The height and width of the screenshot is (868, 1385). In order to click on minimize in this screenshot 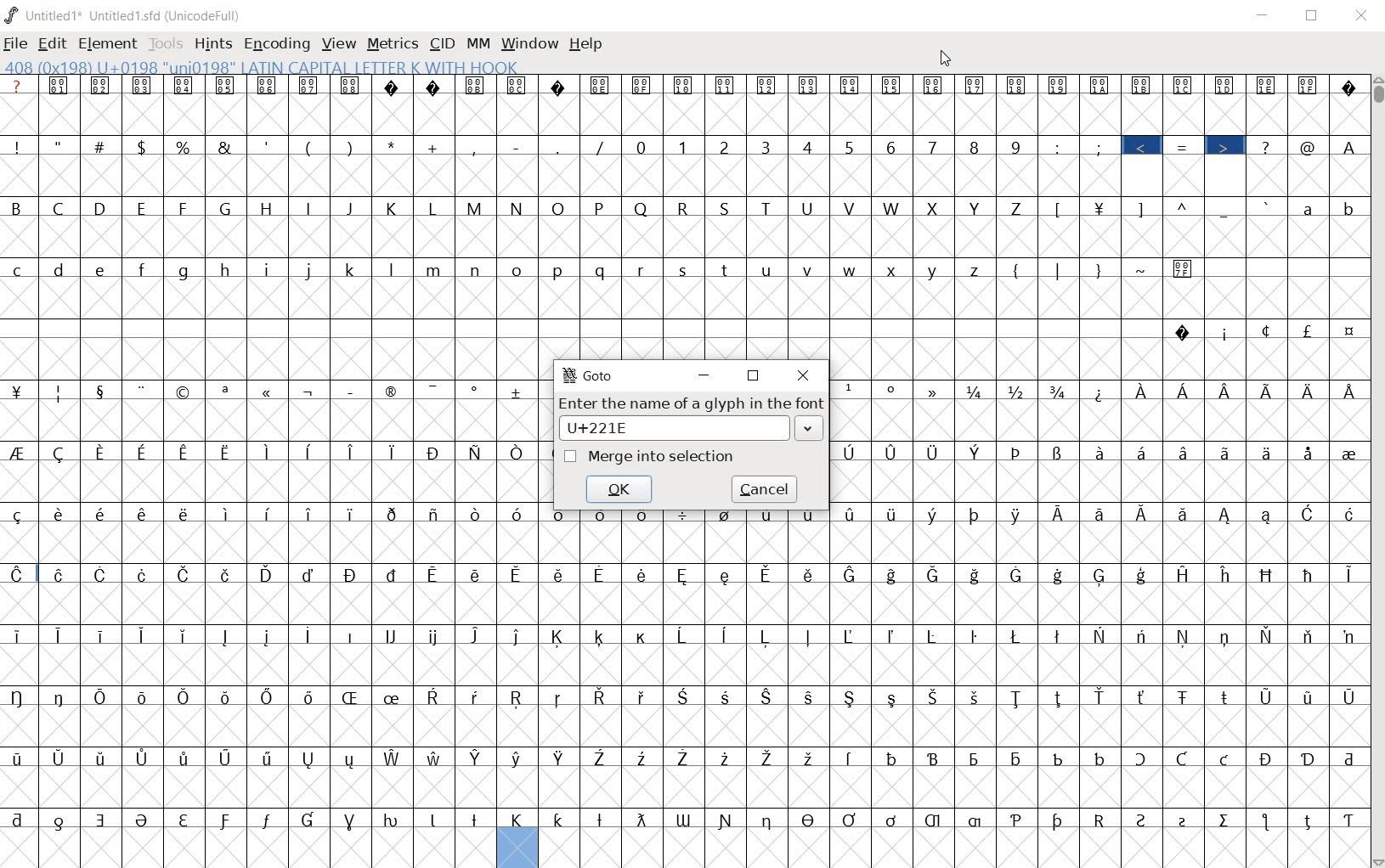, I will do `click(1263, 16)`.